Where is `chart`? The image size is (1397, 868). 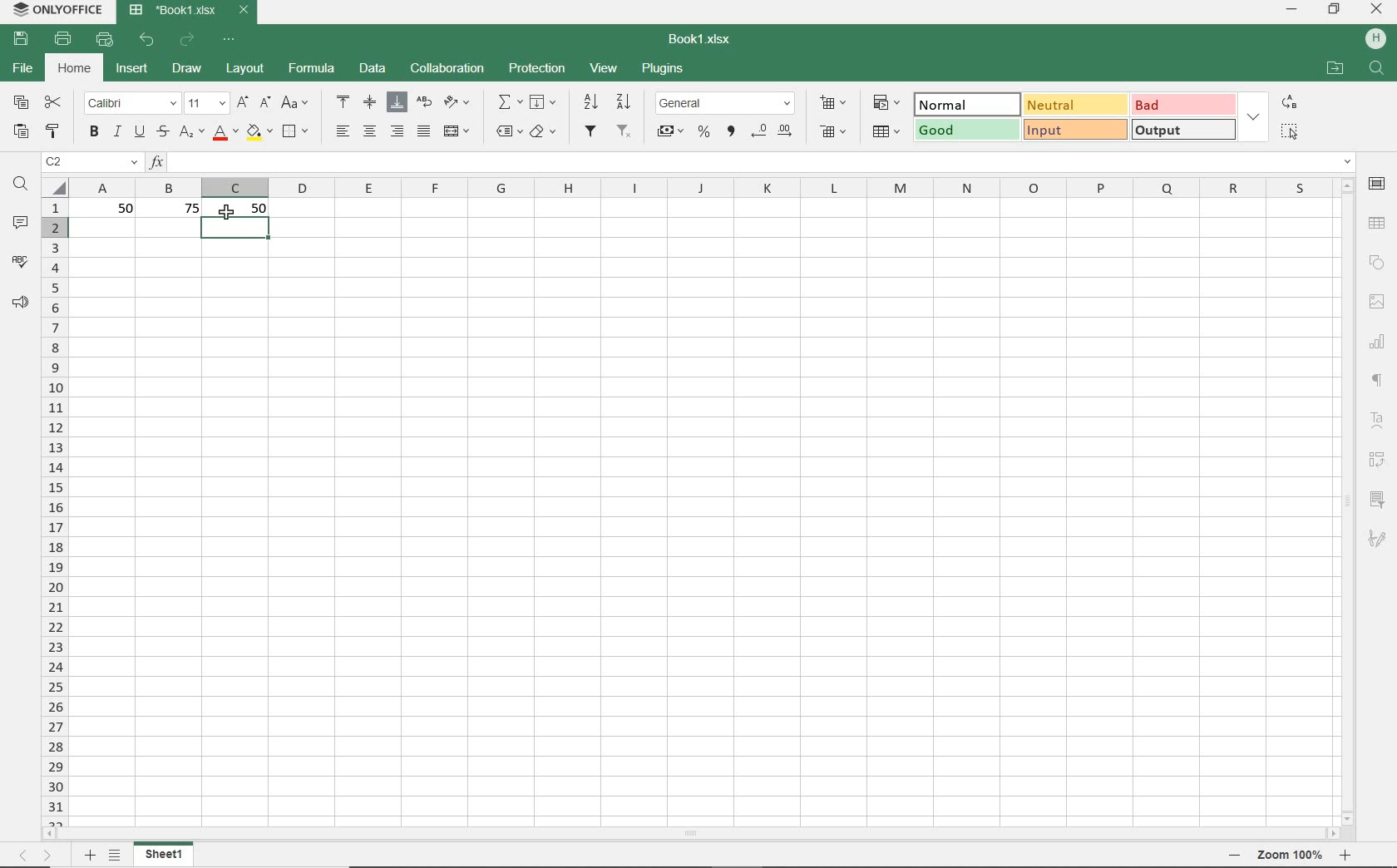 chart is located at coordinates (1380, 345).